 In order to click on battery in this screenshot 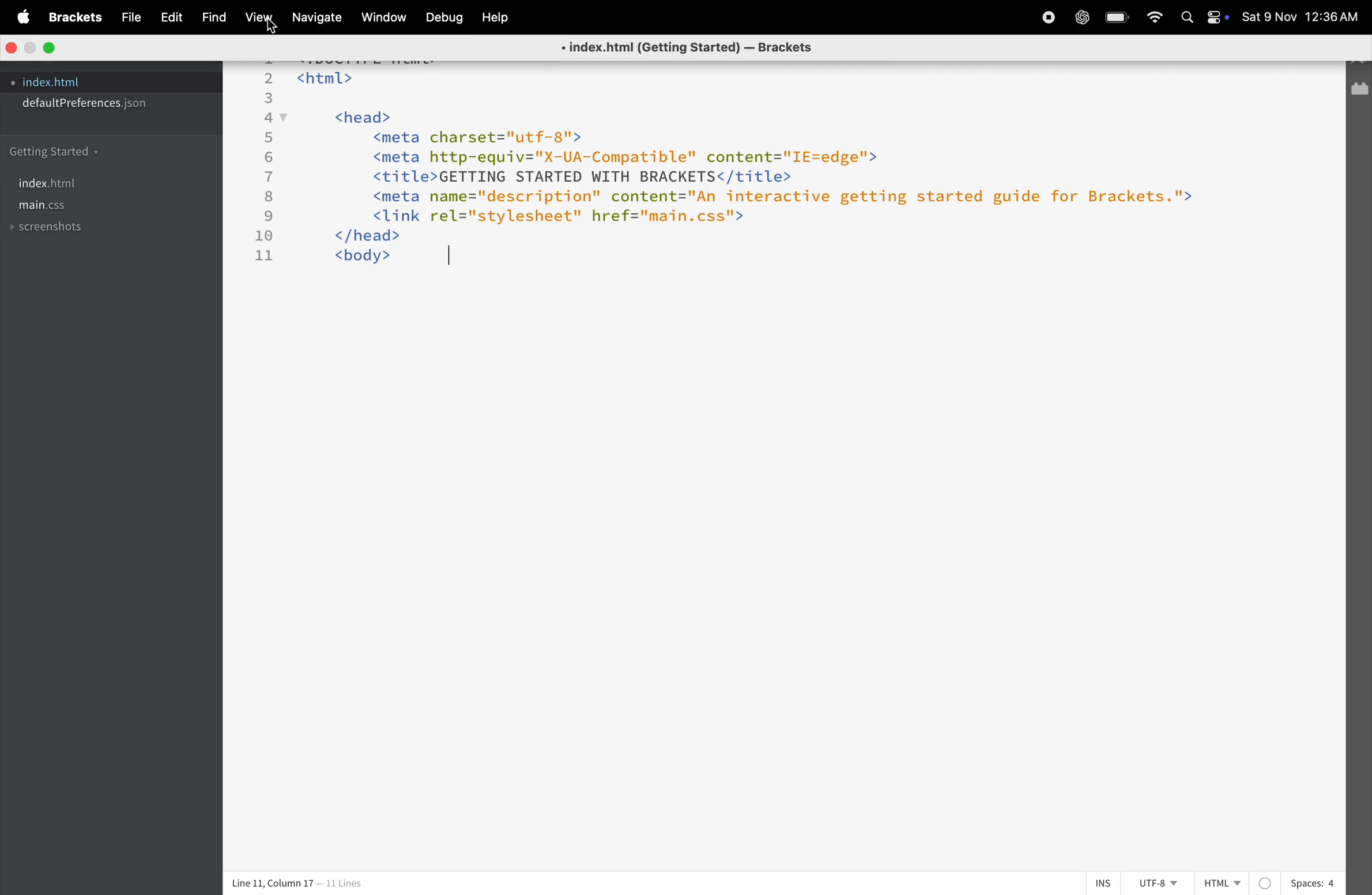, I will do `click(1118, 16)`.